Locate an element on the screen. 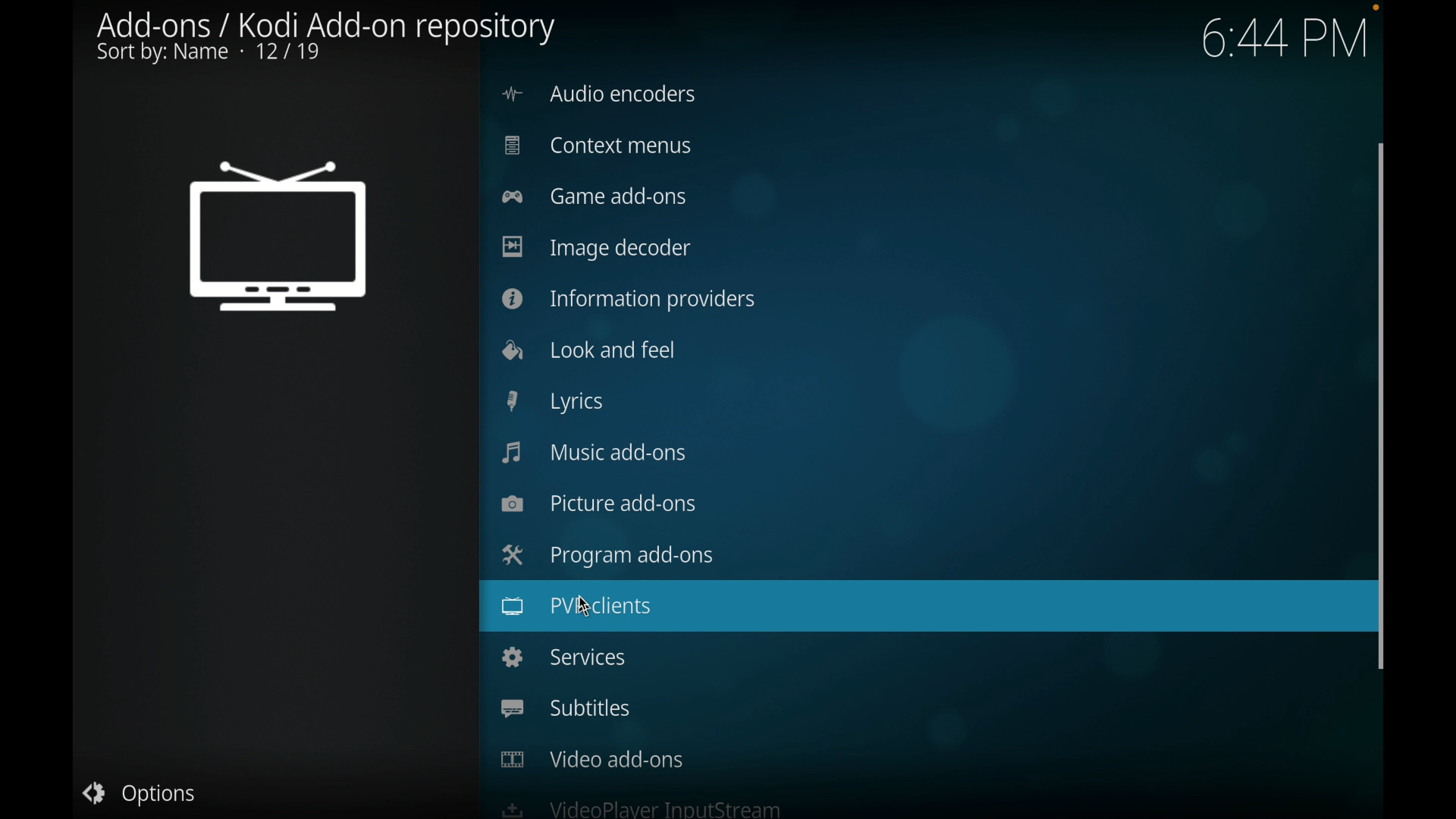 This screenshot has height=819, width=1456. look and feel is located at coordinates (588, 350).